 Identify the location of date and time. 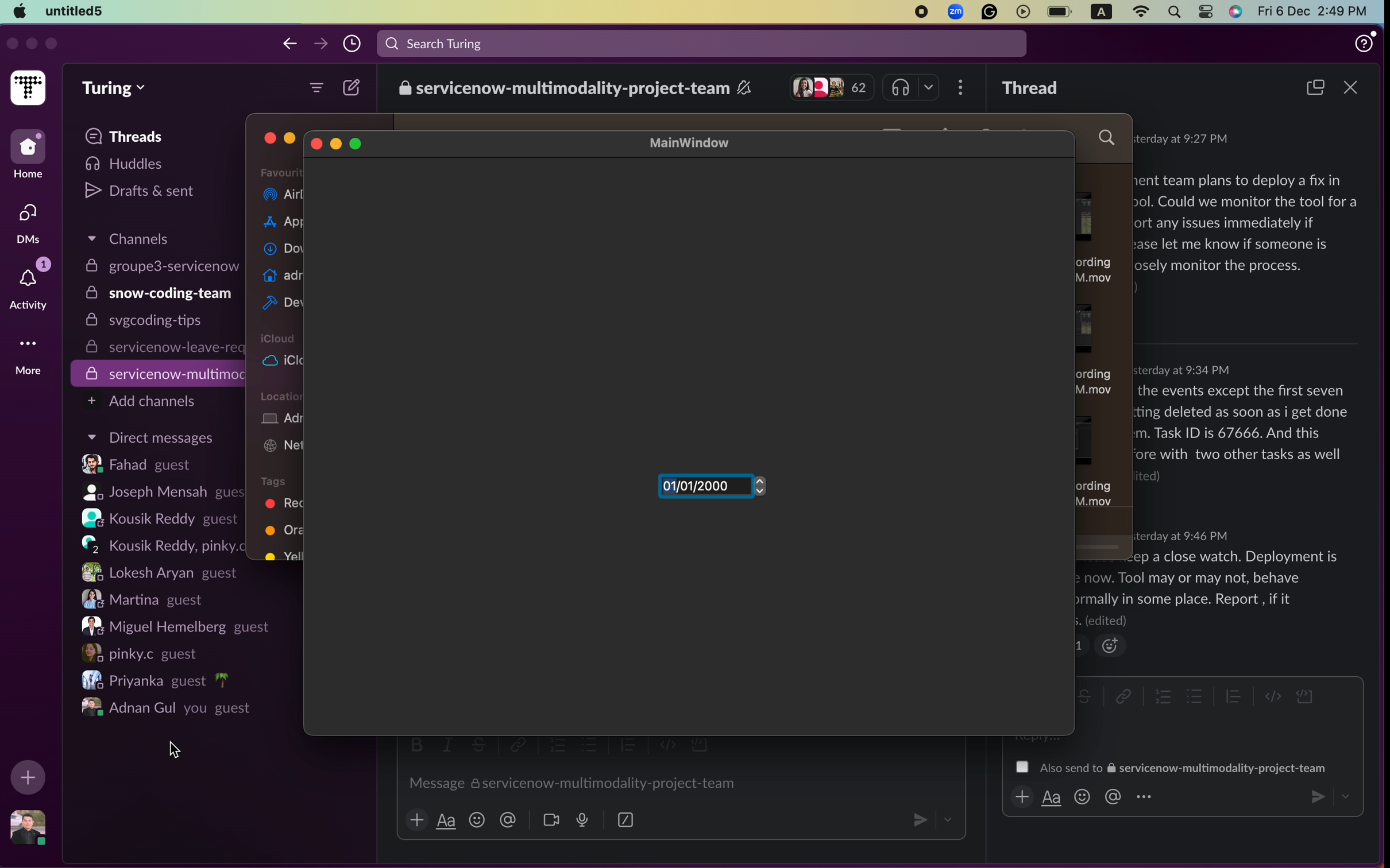
(1186, 370).